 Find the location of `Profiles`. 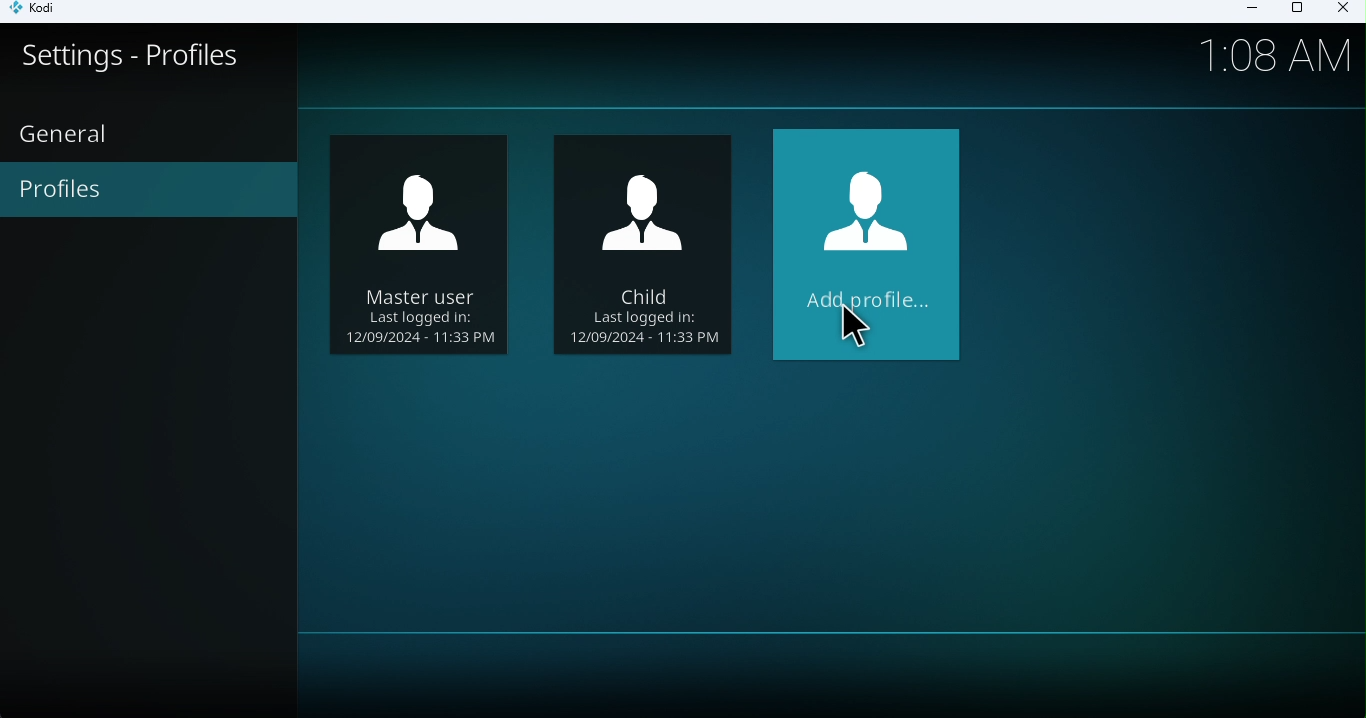

Profiles is located at coordinates (151, 190).